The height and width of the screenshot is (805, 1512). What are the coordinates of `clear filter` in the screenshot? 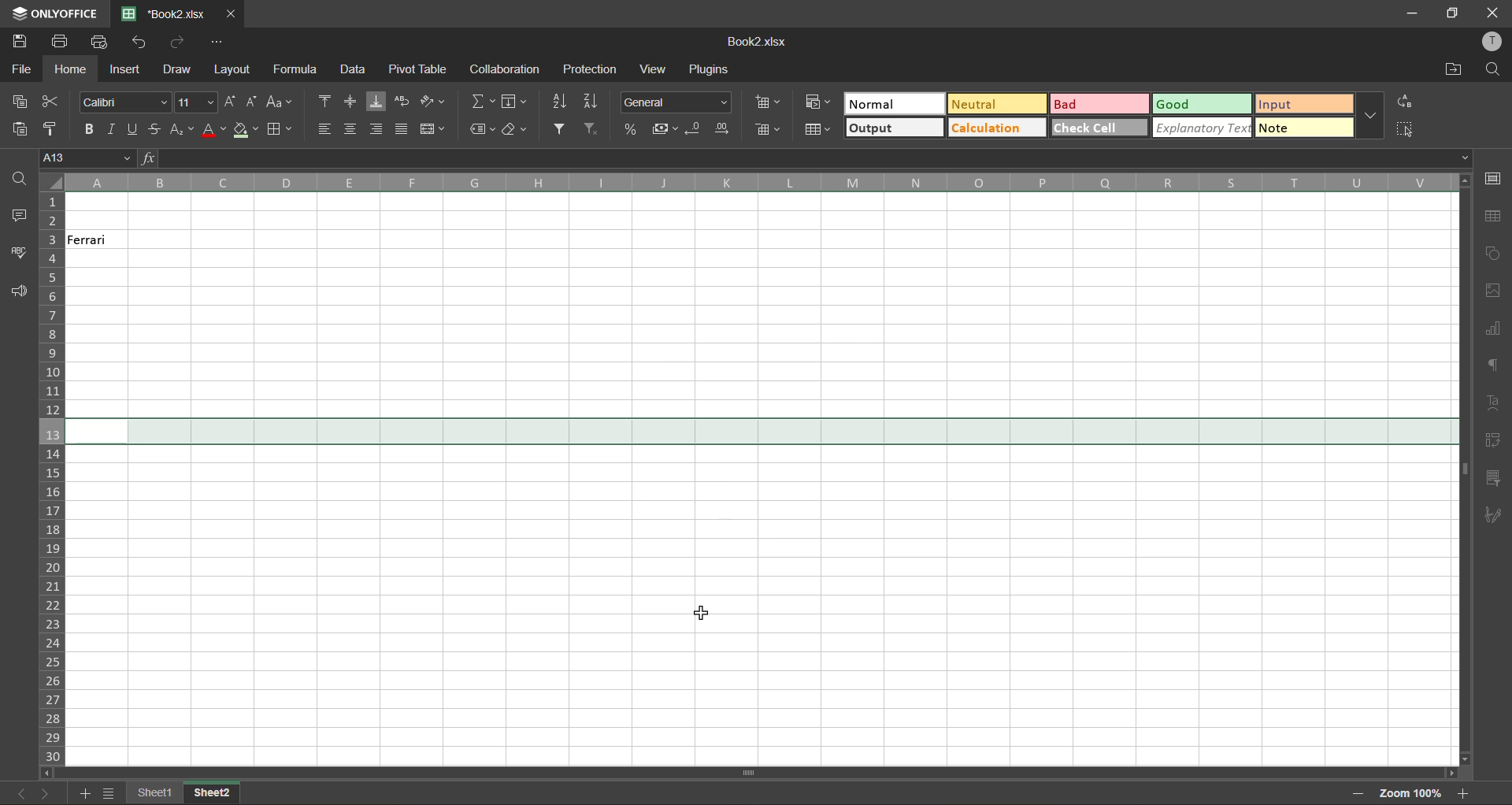 It's located at (593, 131).